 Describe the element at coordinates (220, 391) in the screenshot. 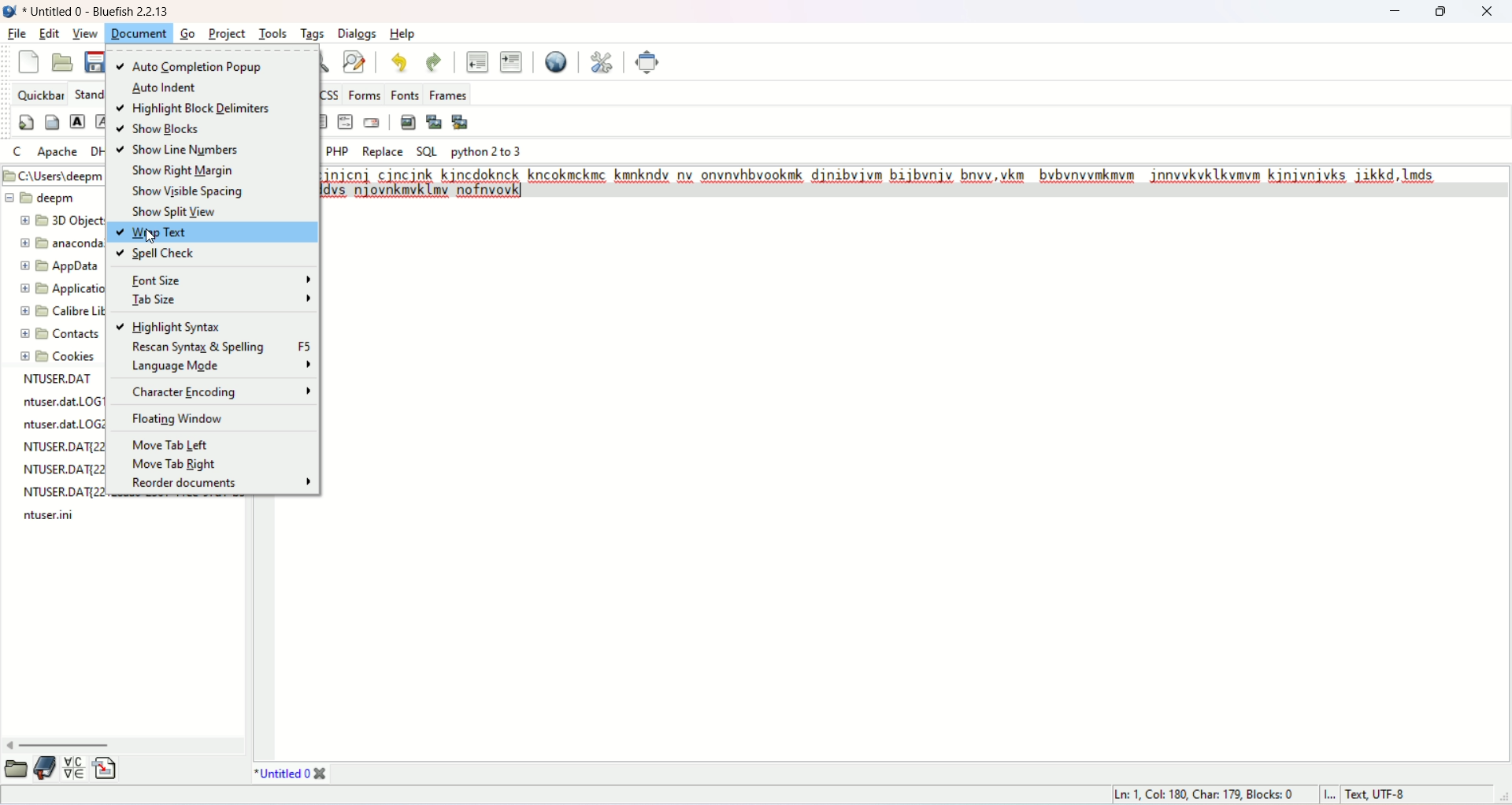

I see `character encoding` at that location.